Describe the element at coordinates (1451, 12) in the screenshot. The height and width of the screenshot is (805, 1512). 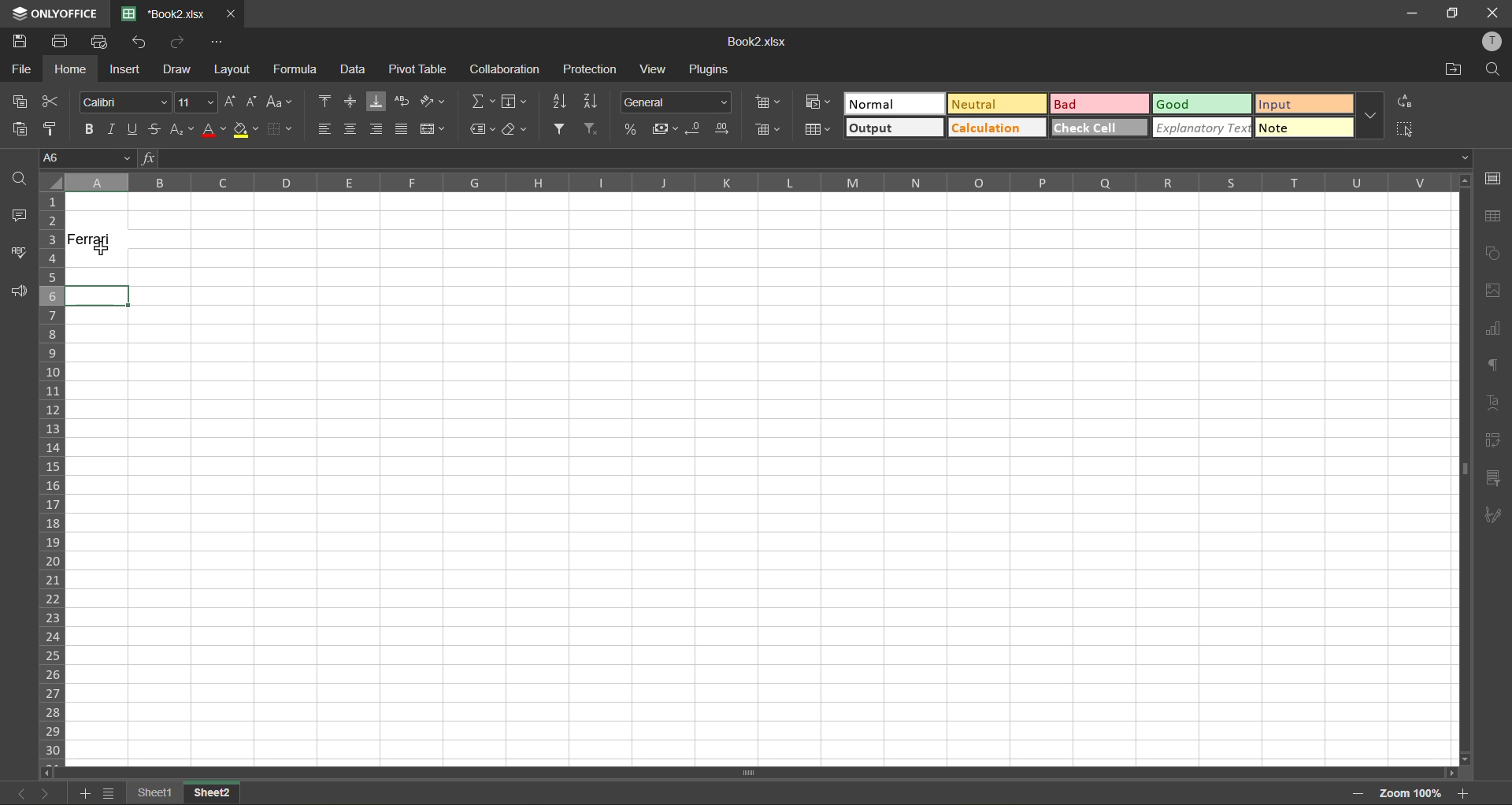
I see `maximize` at that location.